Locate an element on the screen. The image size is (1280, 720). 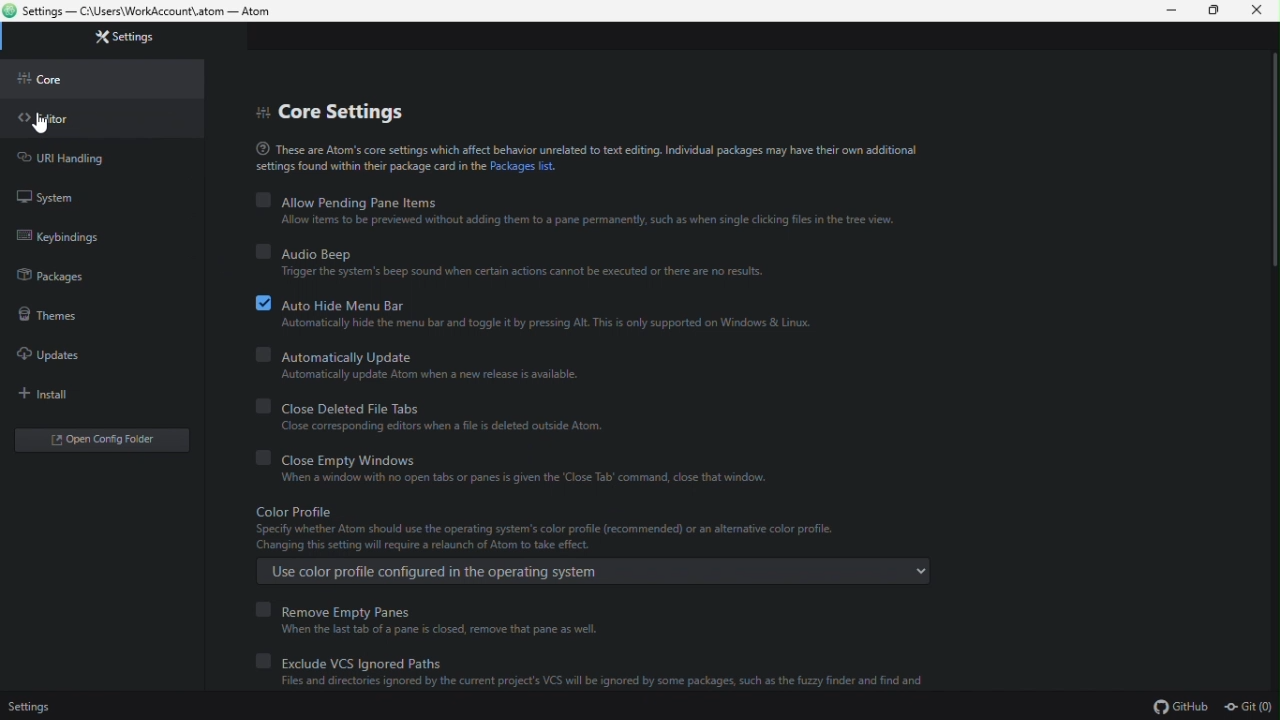
Install is located at coordinates (52, 395).